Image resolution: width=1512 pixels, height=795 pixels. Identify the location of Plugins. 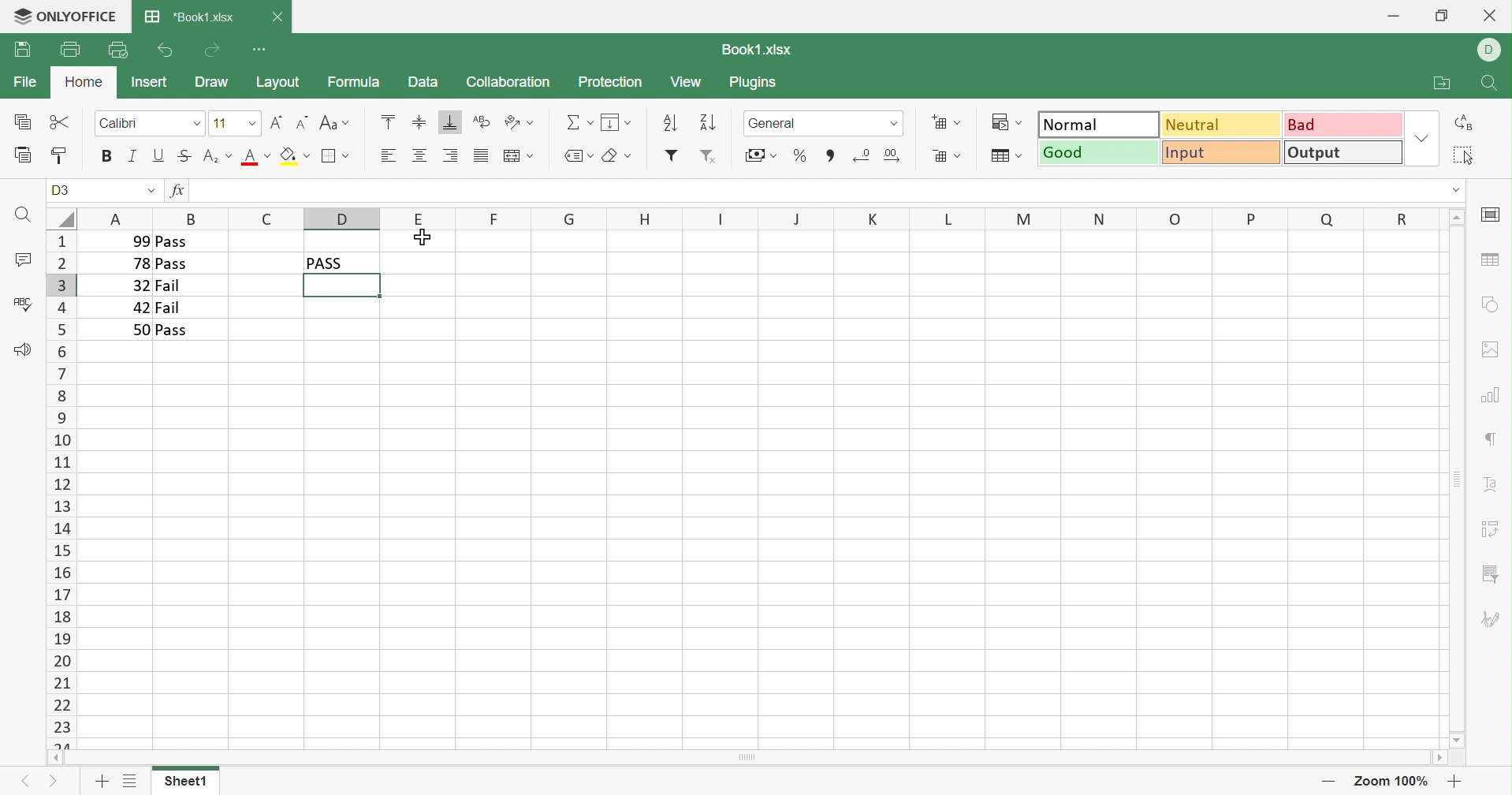
(755, 84).